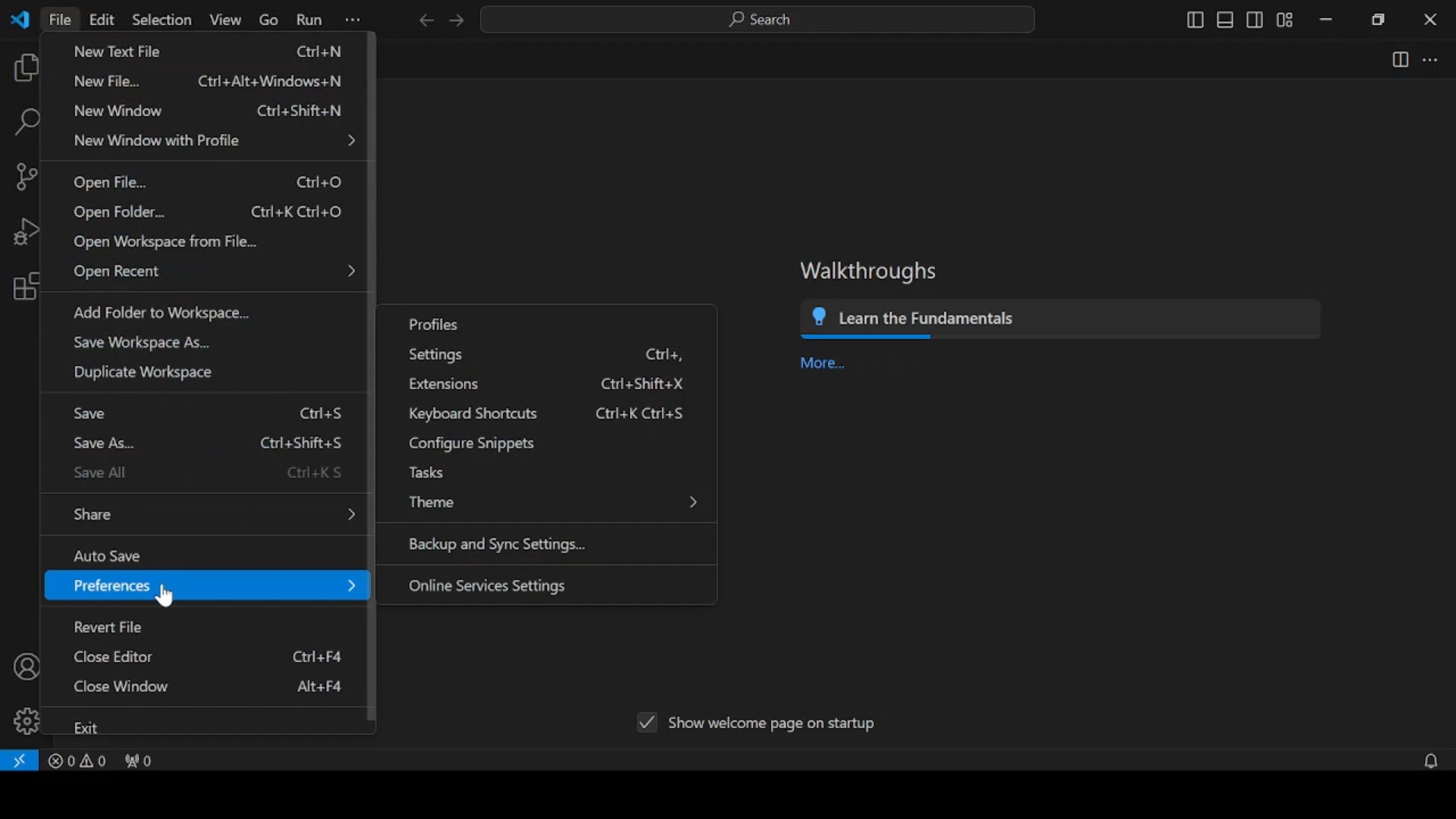 The width and height of the screenshot is (1456, 819). What do you see at coordinates (206, 586) in the screenshot?
I see `preferences menu` at bounding box center [206, 586].